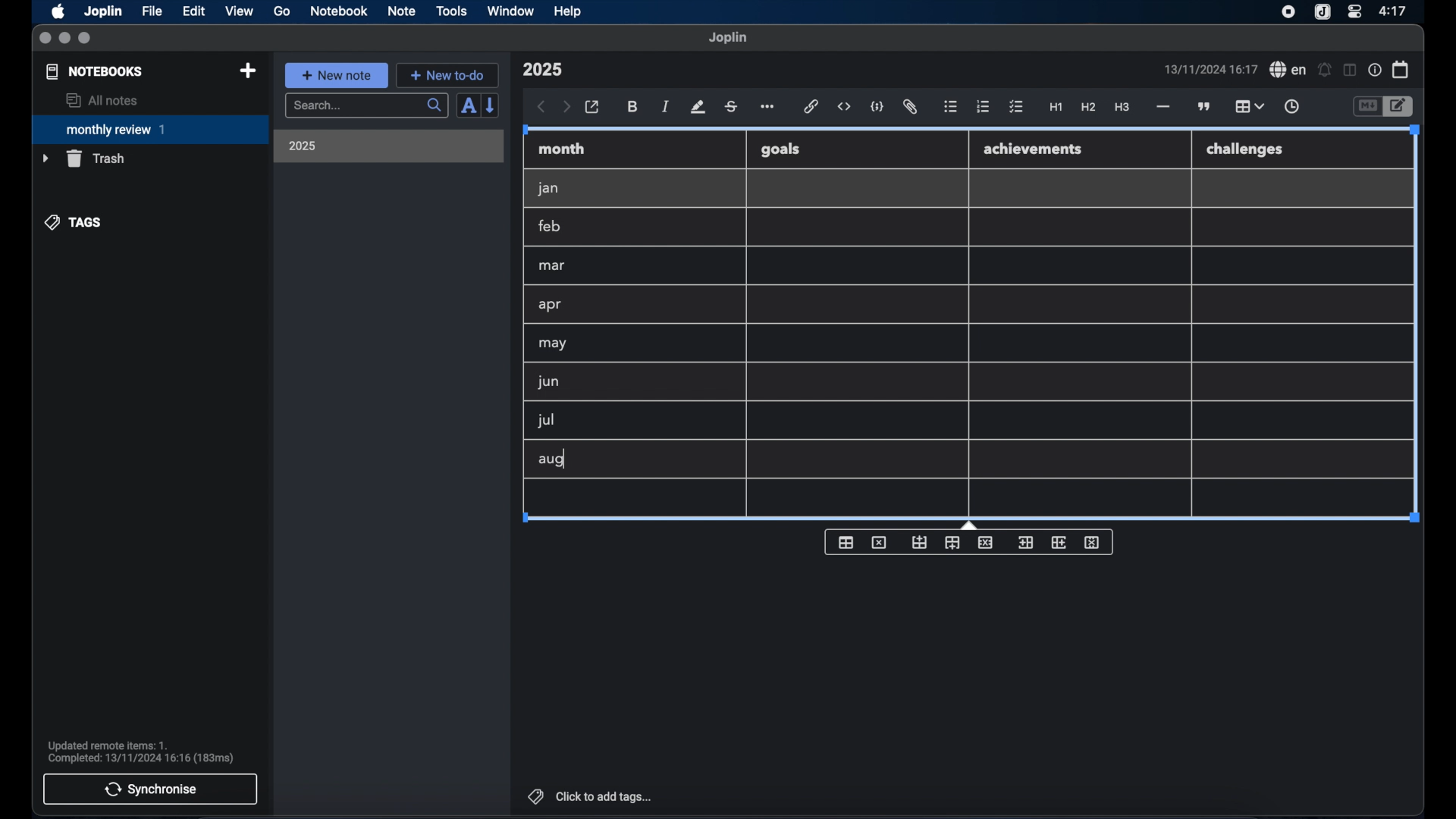 The image size is (1456, 819). Describe the element at coordinates (877, 108) in the screenshot. I see `code` at that location.